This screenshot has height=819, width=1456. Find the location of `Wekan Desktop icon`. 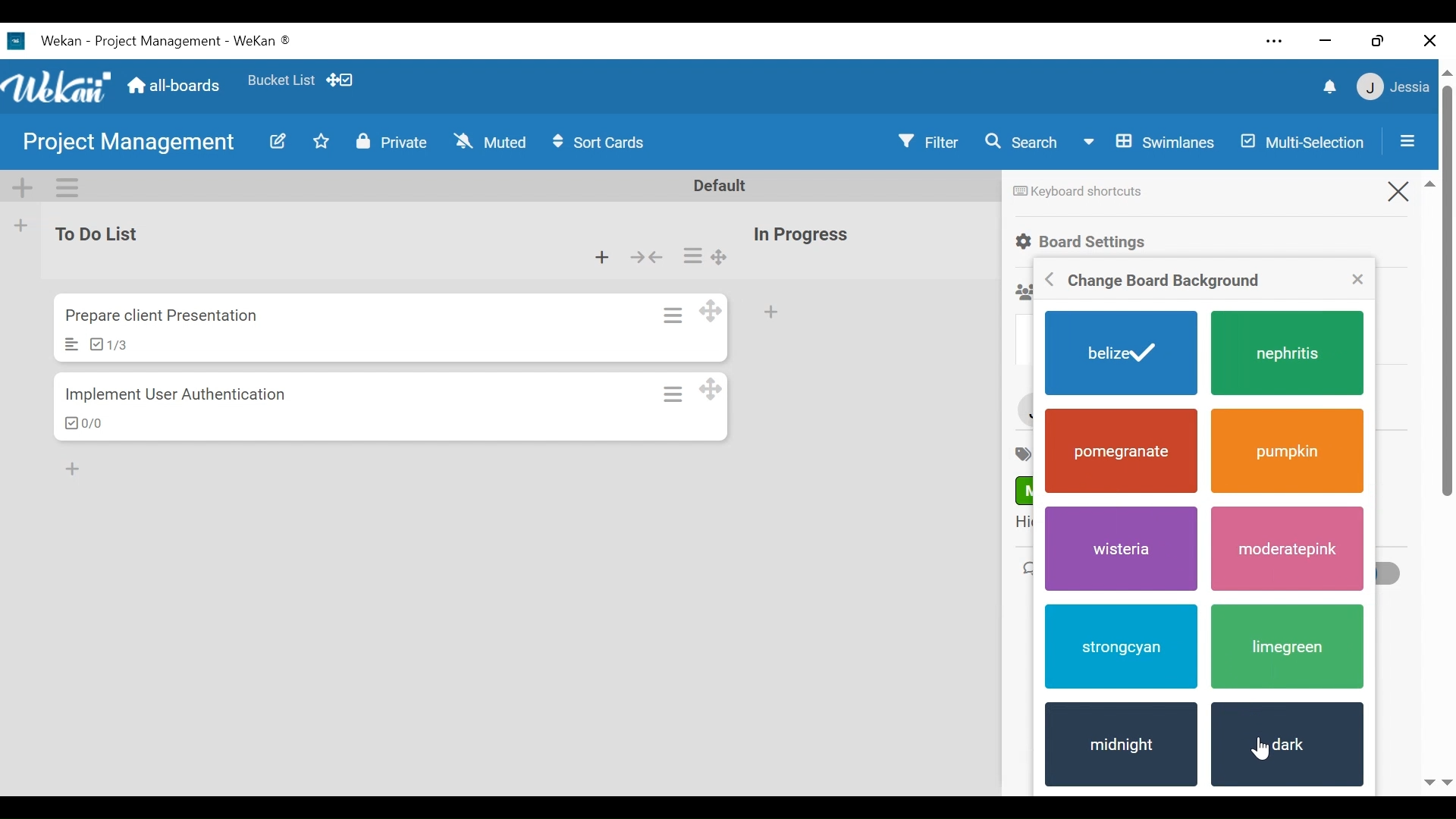

Wekan Desktop icon is located at coordinates (157, 42).